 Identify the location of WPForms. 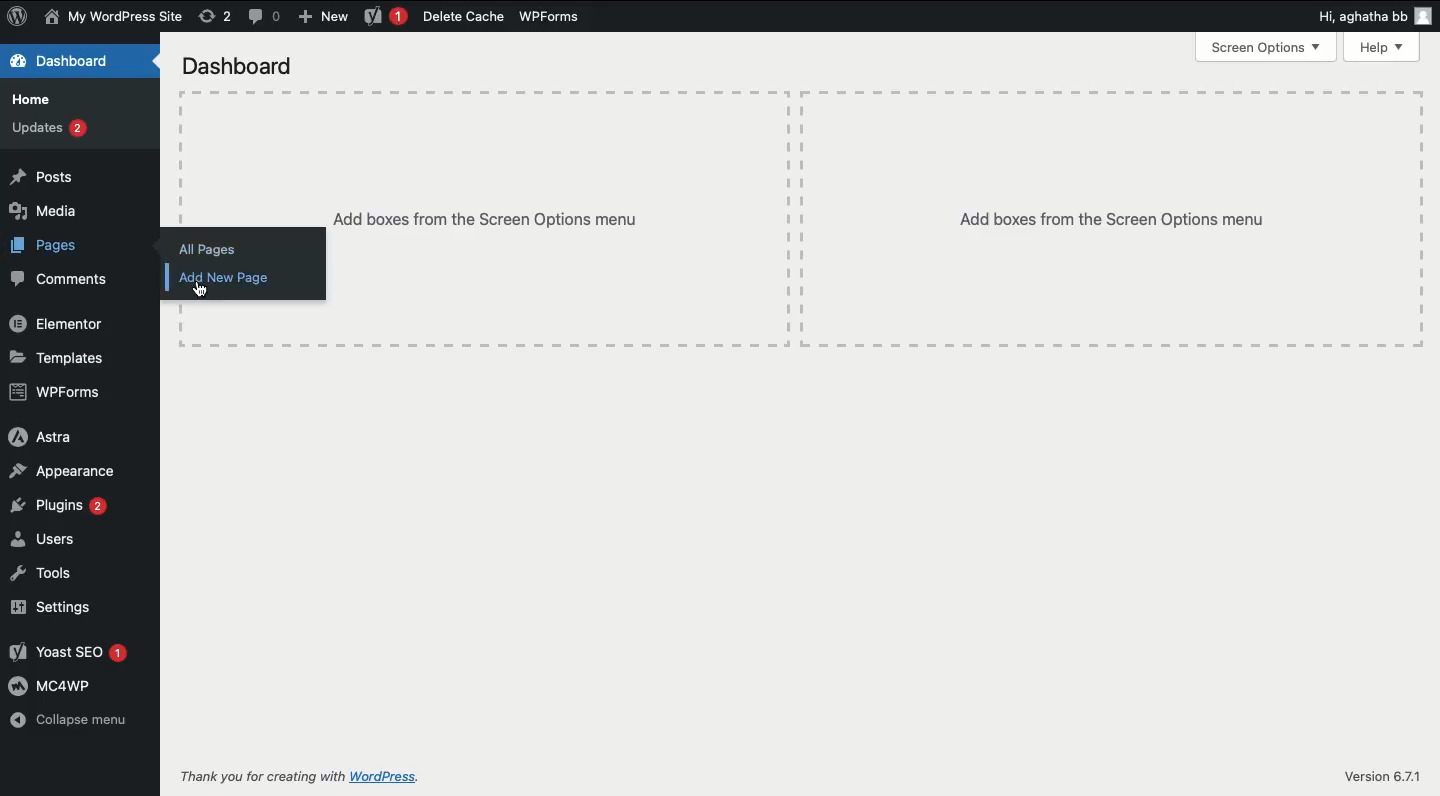
(57, 391).